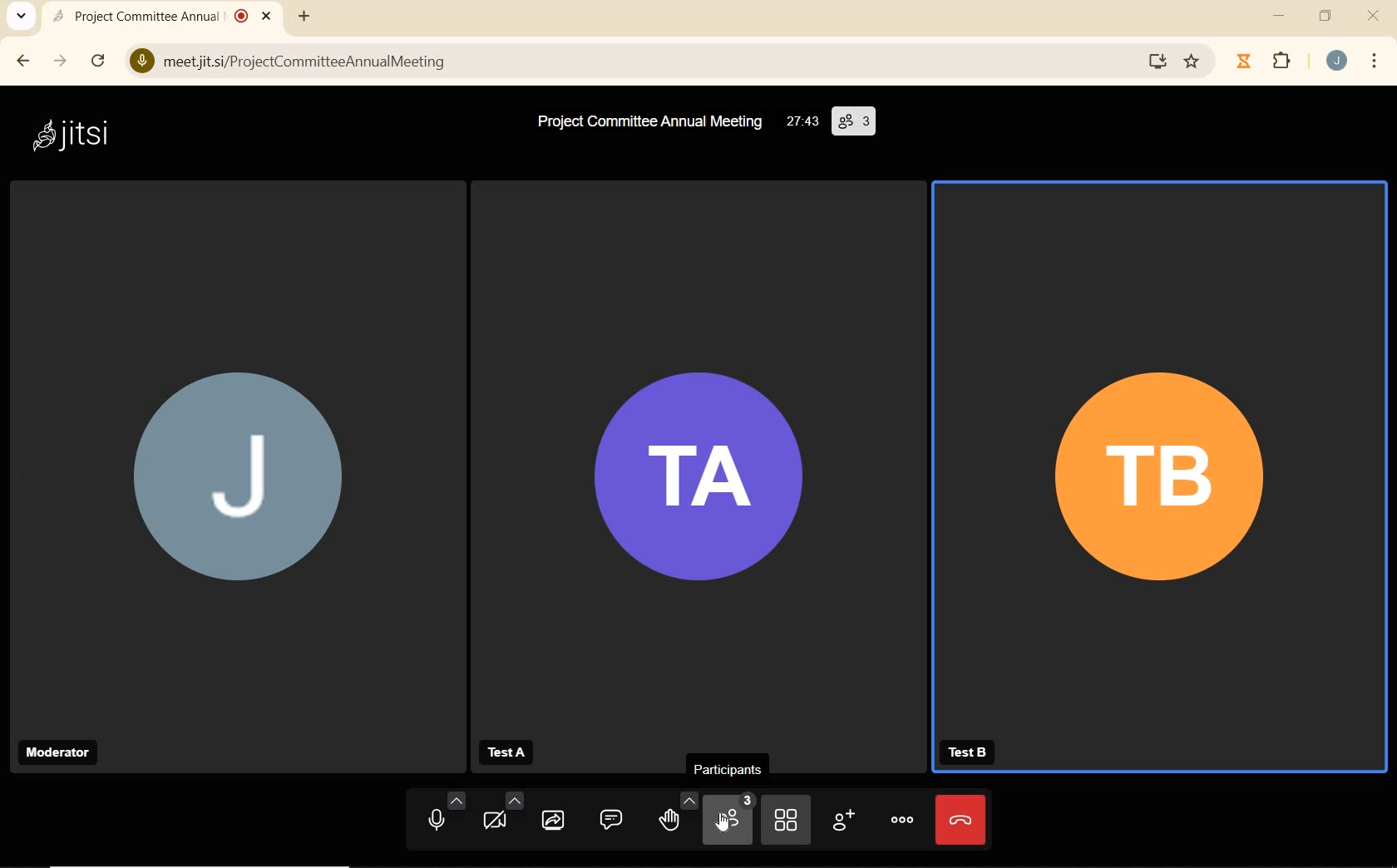 This screenshot has height=868, width=1397. I want to click on 27:43, so click(801, 121).